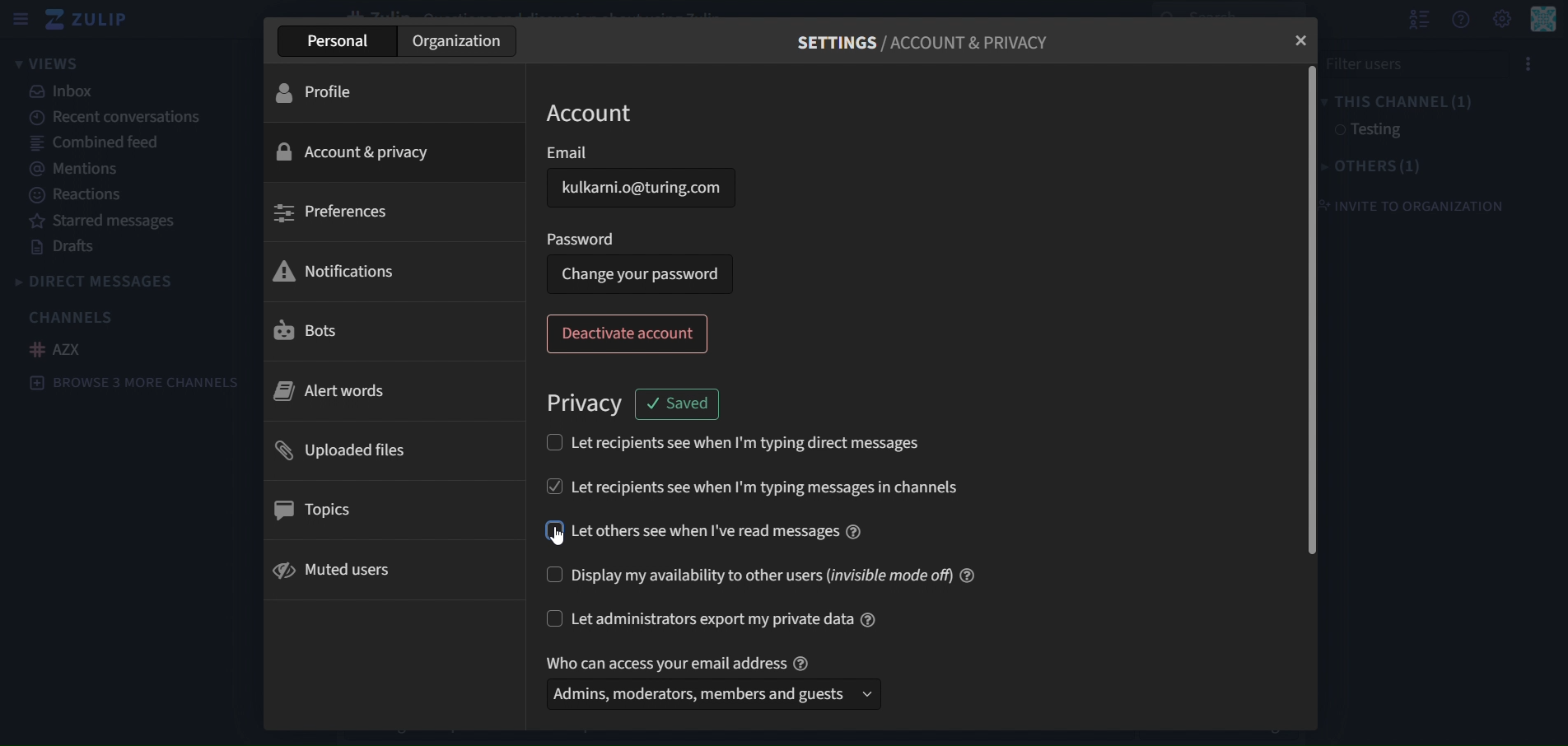 The width and height of the screenshot is (1568, 746). I want to click on others, so click(1382, 165).